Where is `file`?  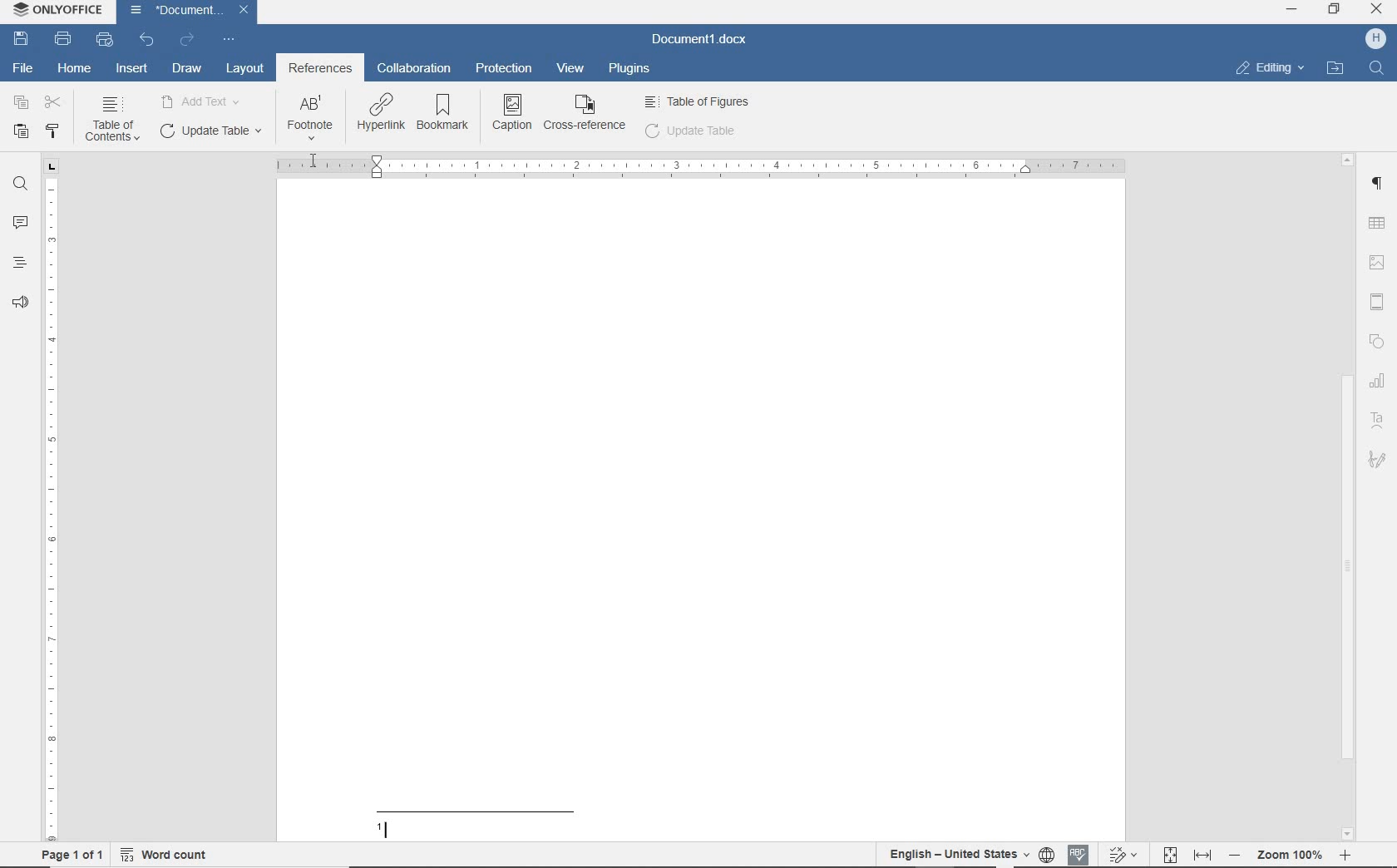
file is located at coordinates (27, 67).